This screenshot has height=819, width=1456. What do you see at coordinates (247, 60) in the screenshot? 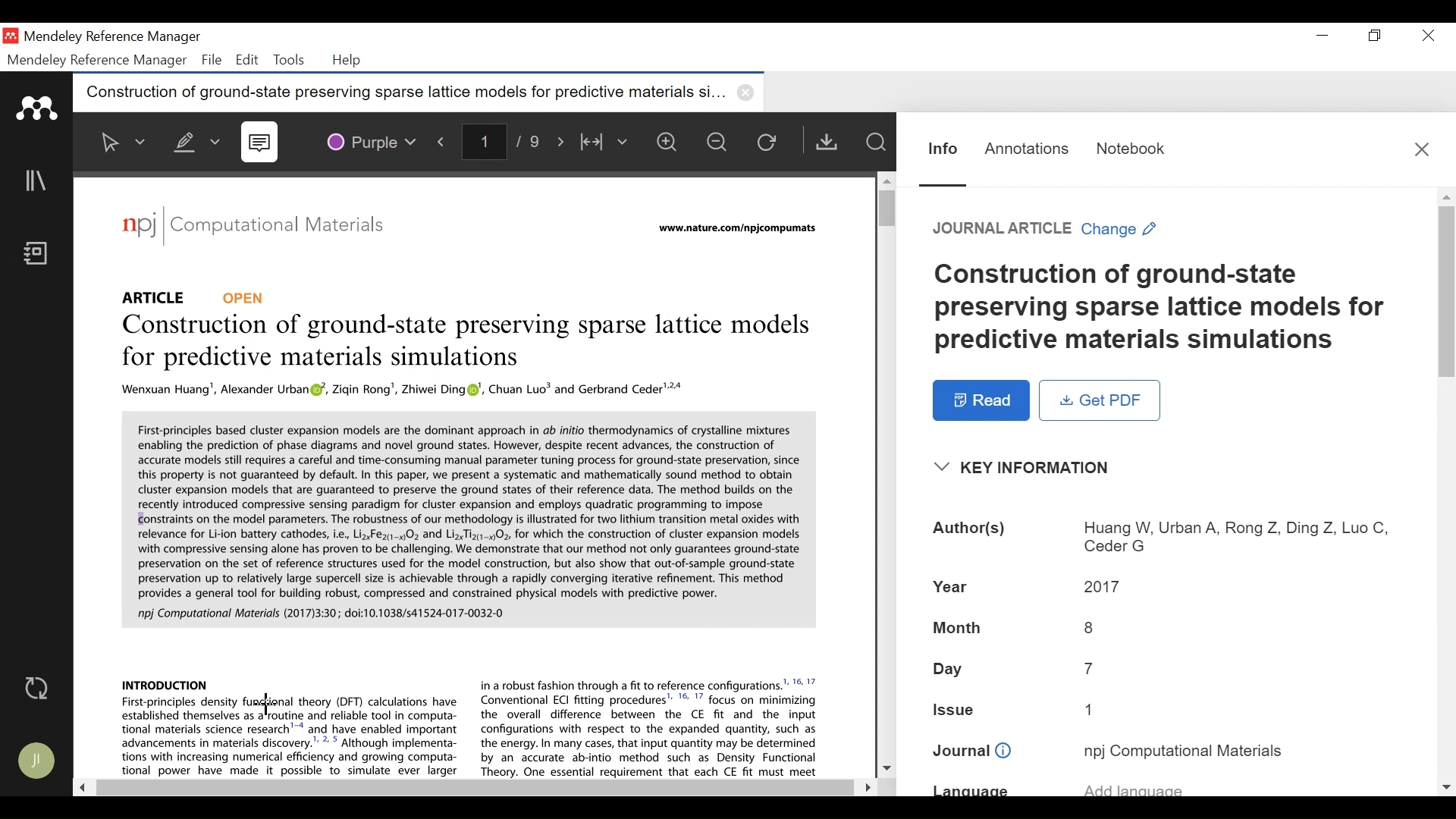
I see `Edit` at bounding box center [247, 60].